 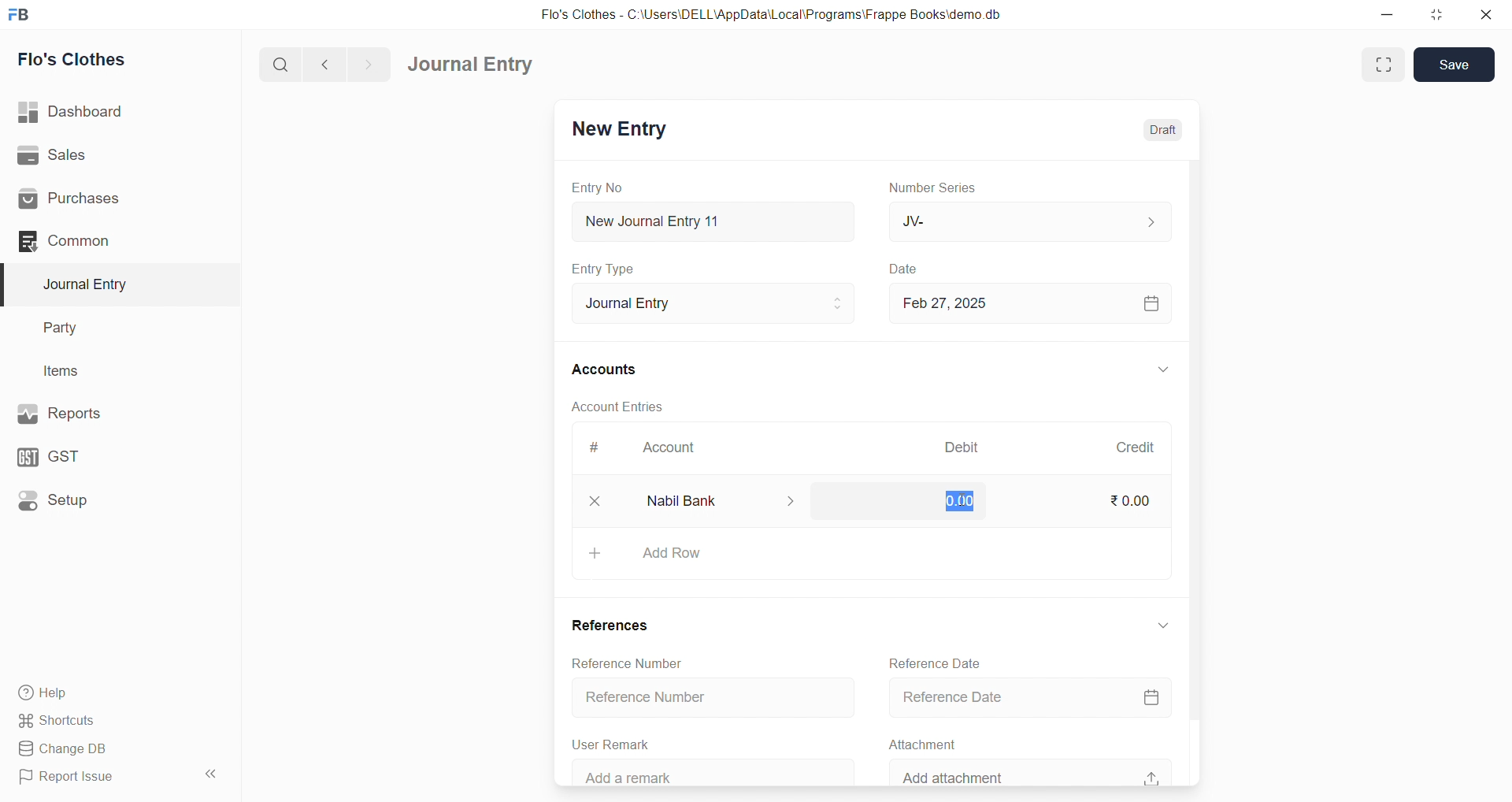 What do you see at coordinates (91, 503) in the screenshot?
I see `Setup` at bounding box center [91, 503].